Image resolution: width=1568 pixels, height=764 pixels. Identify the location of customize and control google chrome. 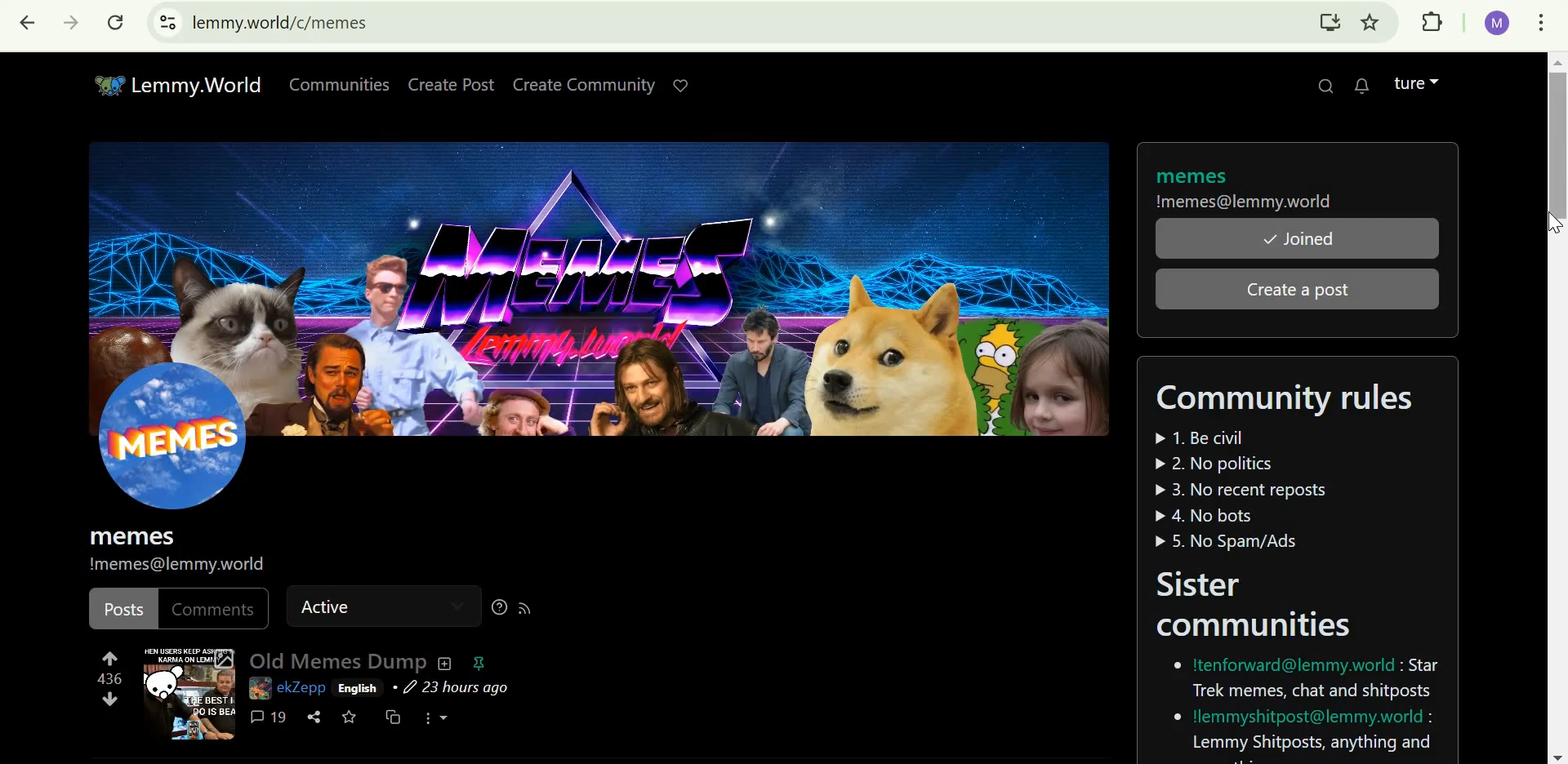
(1542, 25).